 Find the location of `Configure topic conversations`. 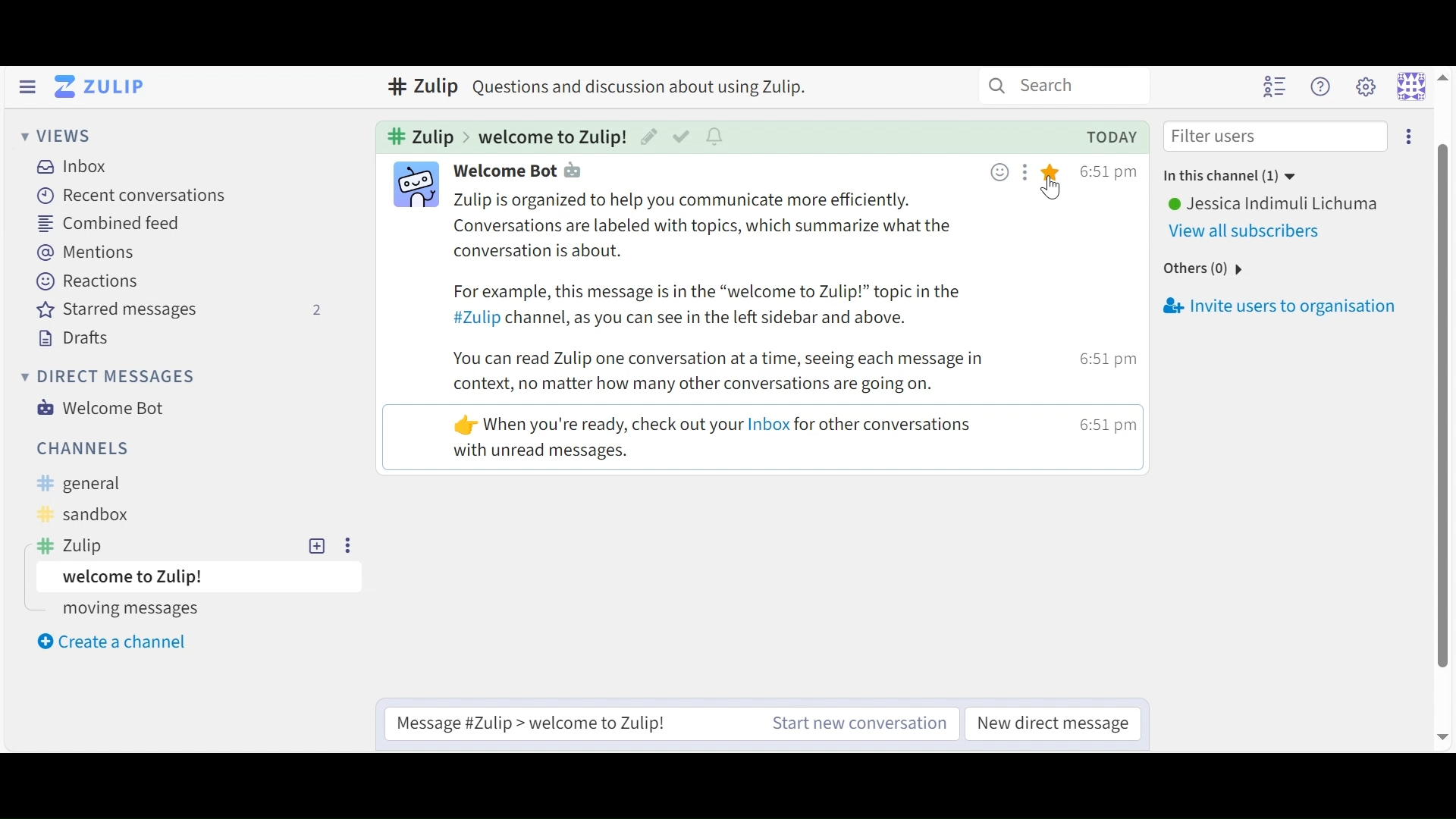

Configure topic conversations is located at coordinates (715, 136).